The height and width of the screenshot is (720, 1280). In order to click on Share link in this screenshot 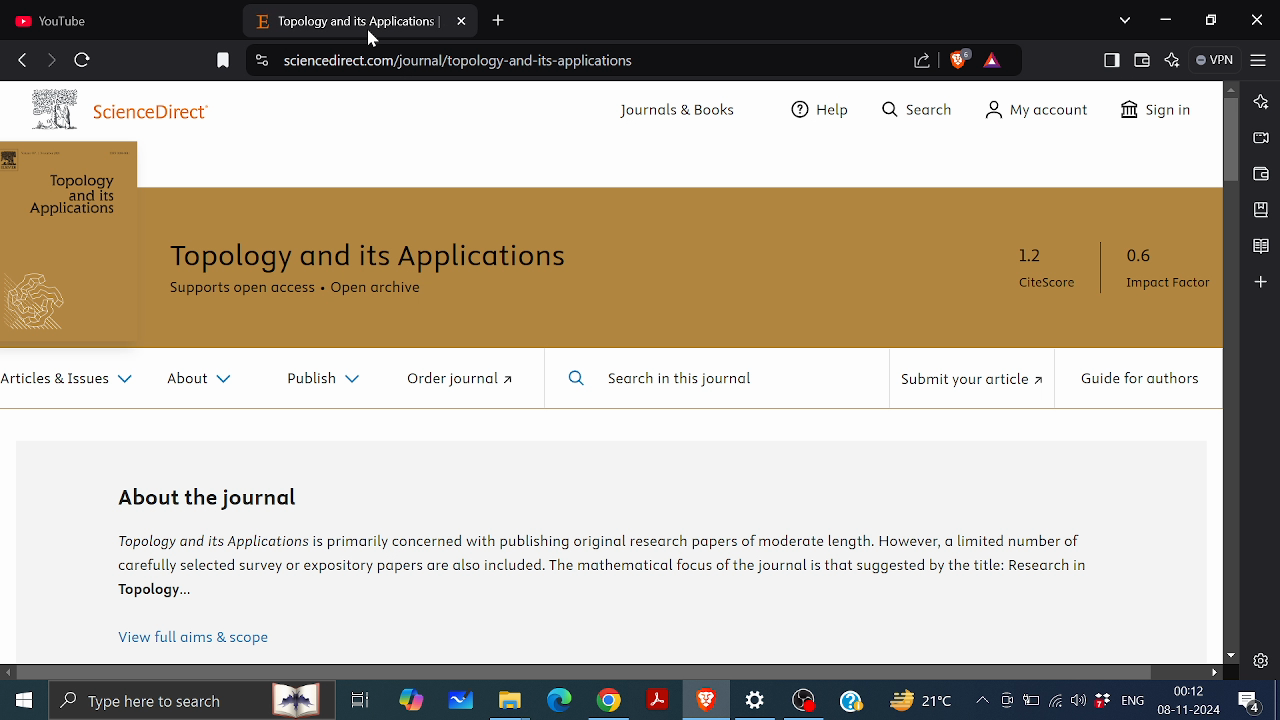, I will do `click(923, 62)`.